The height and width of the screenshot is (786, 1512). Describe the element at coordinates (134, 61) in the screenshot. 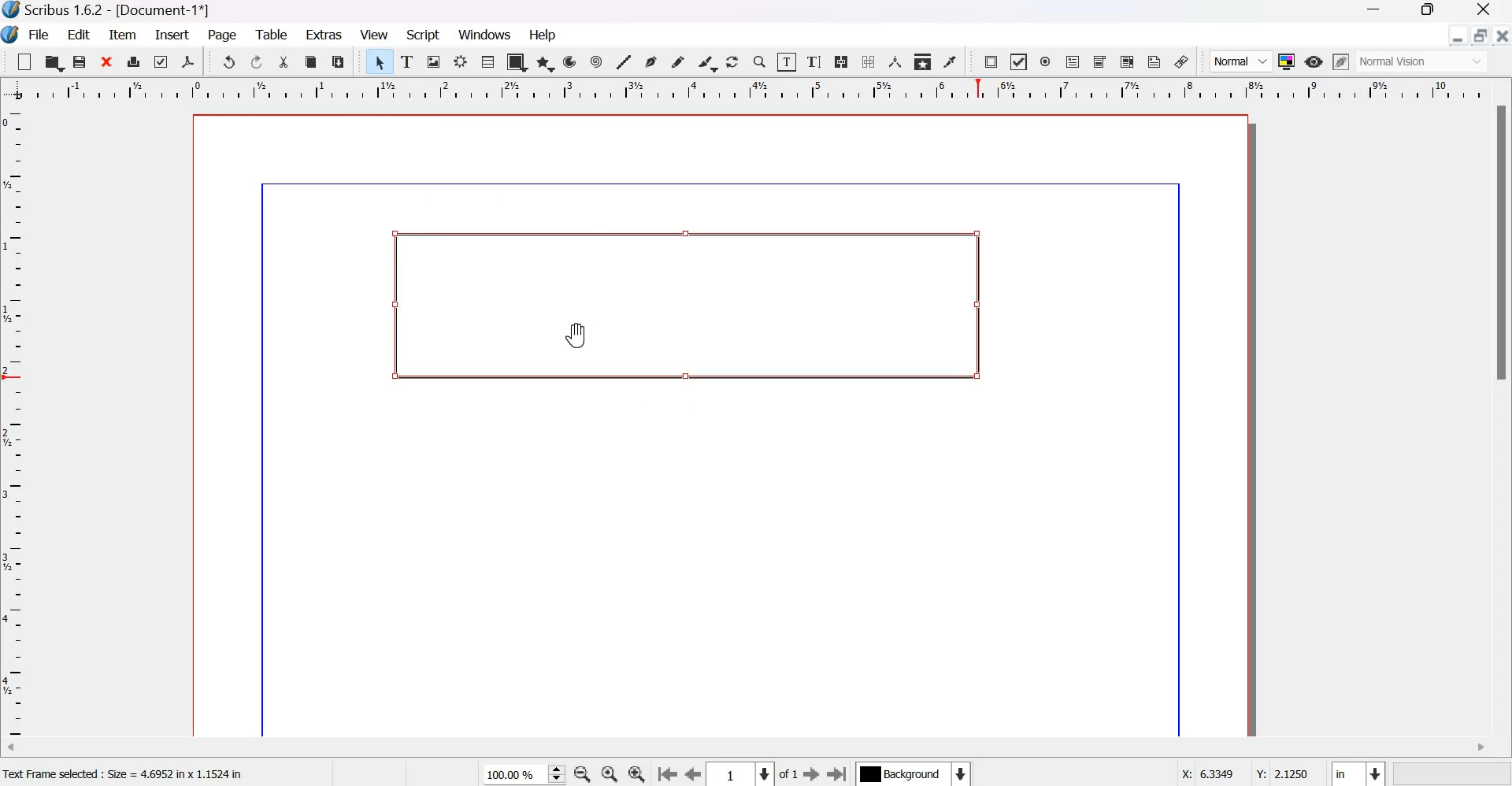

I see `print` at that location.